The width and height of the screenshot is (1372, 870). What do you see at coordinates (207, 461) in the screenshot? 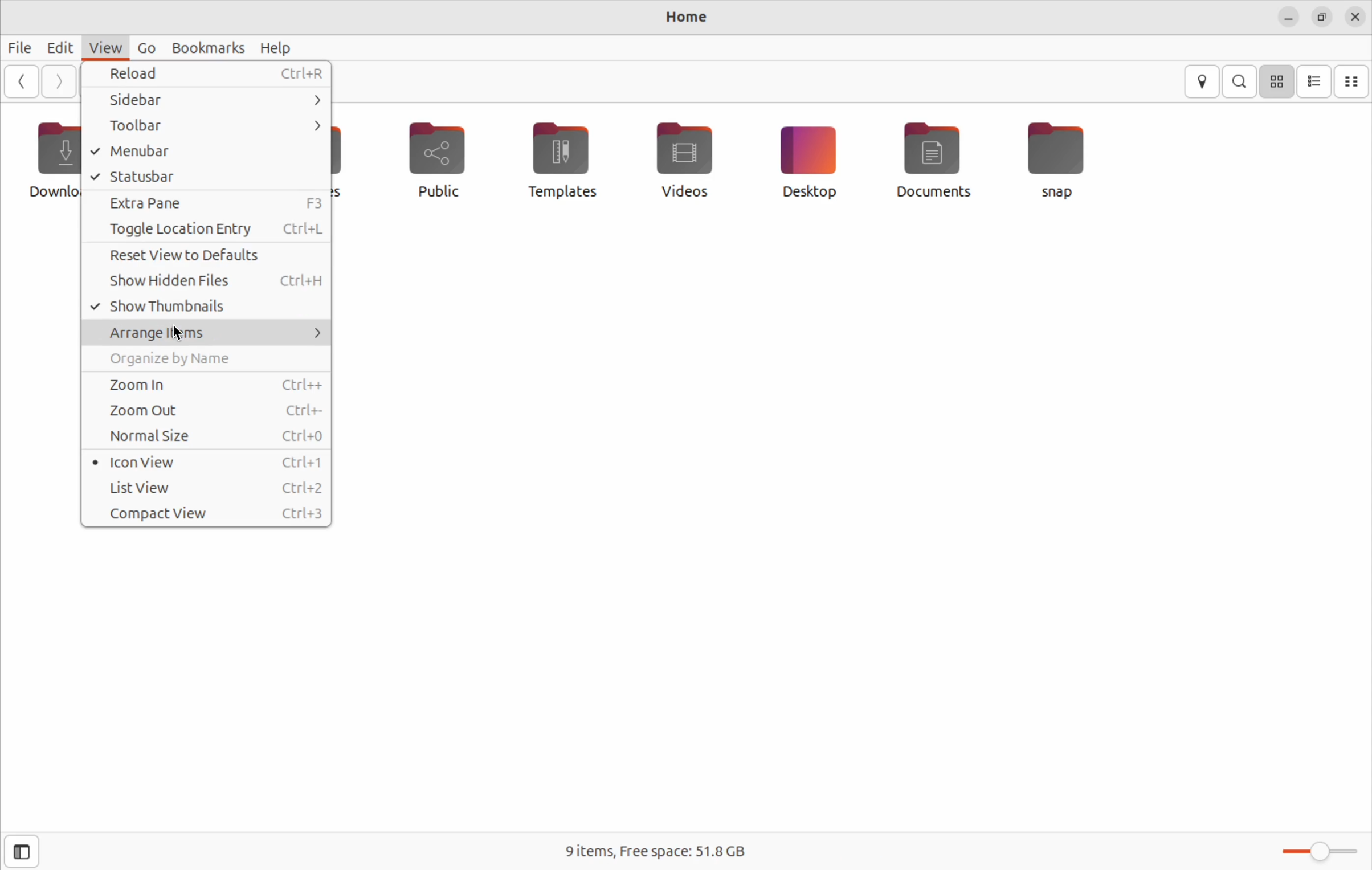
I see `icon view` at bounding box center [207, 461].